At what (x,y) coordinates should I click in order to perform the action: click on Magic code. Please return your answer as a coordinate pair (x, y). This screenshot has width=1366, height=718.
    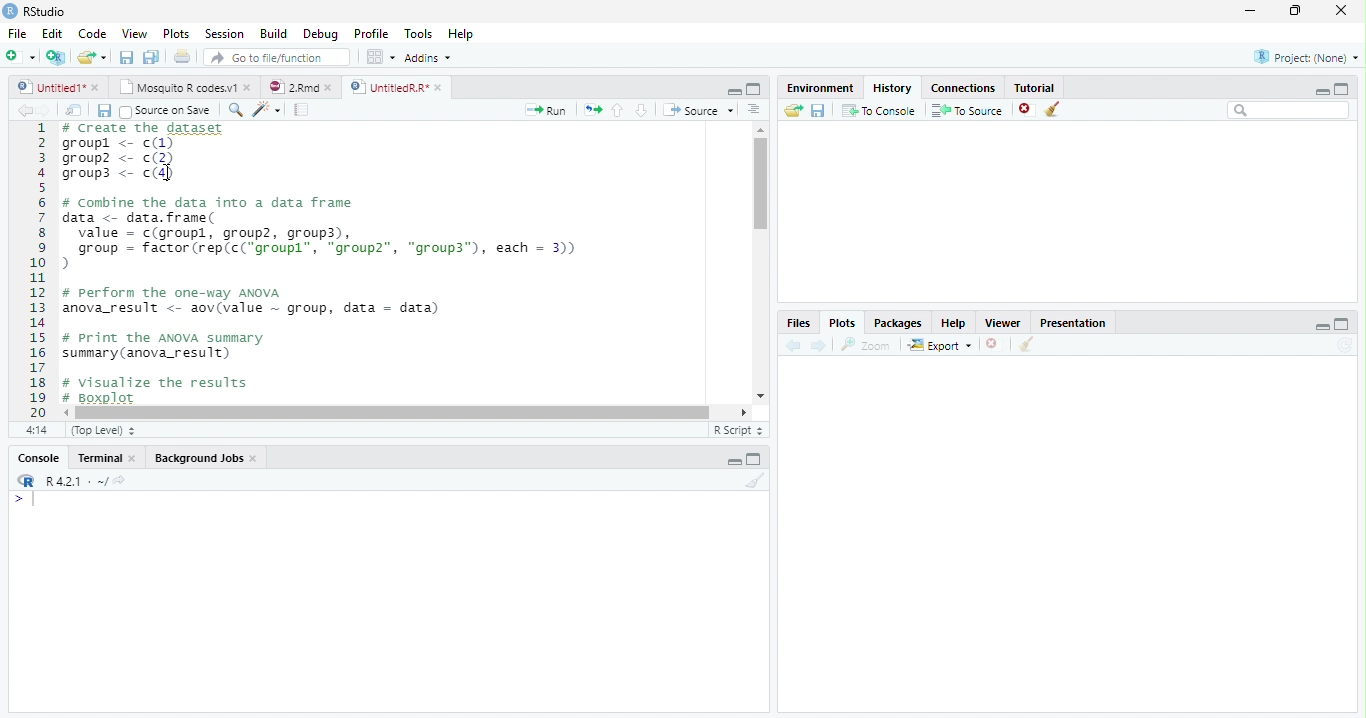
    Looking at the image, I should click on (267, 111).